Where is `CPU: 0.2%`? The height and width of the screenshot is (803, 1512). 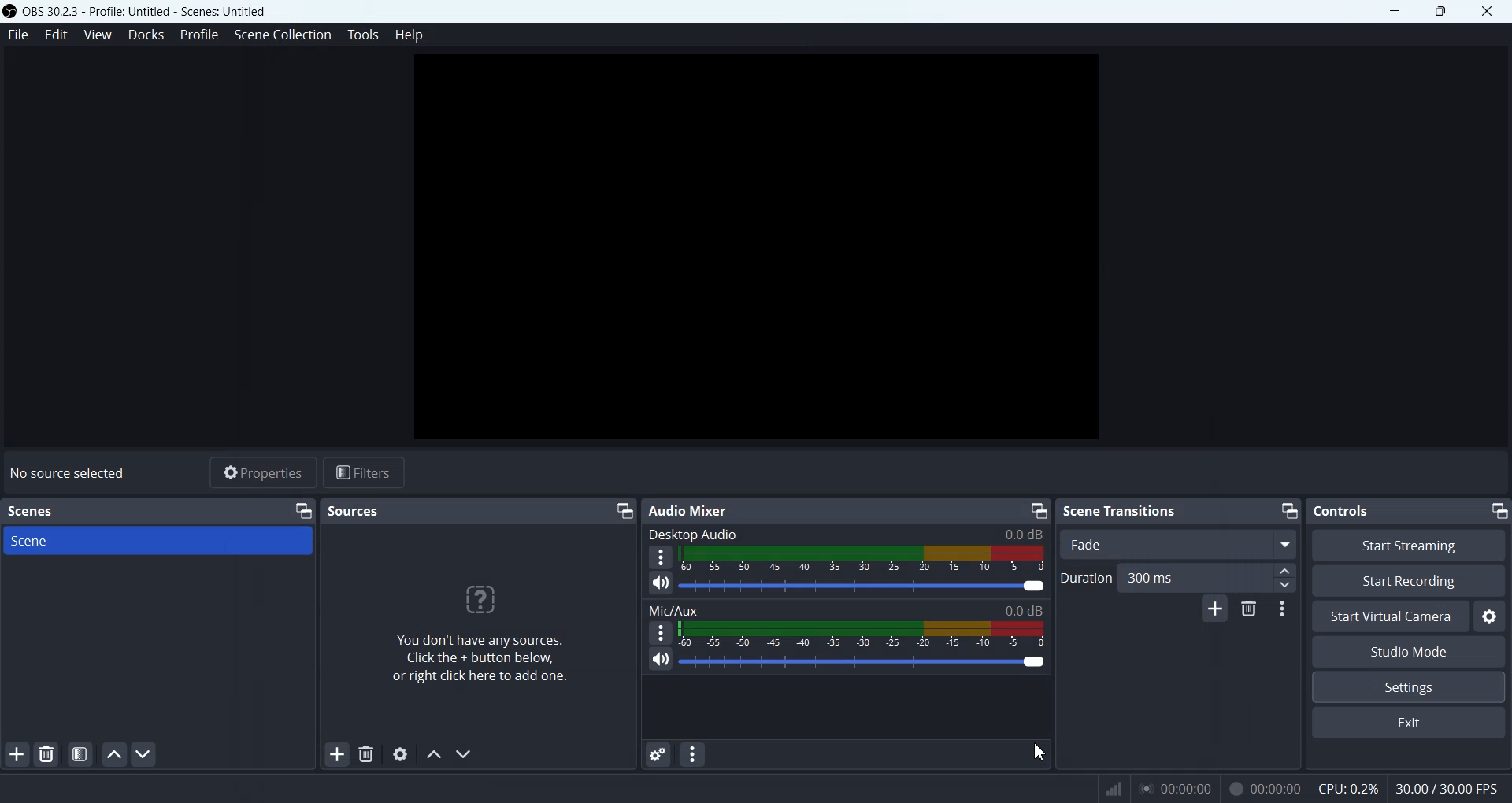
CPU: 0.2% is located at coordinates (1345, 788).